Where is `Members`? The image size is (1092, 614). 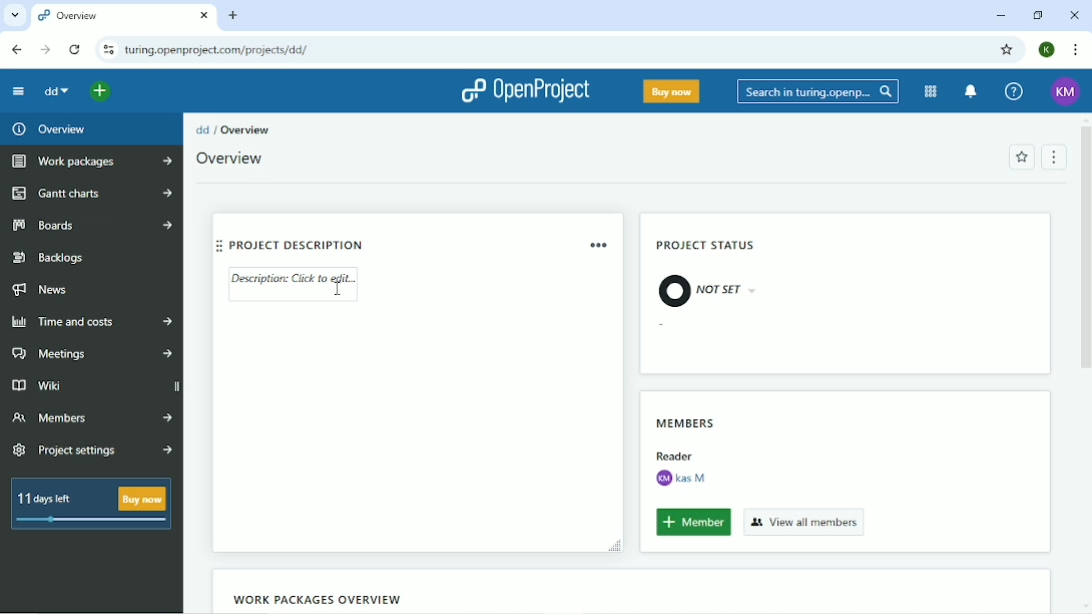 Members is located at coordinates (91, 417).